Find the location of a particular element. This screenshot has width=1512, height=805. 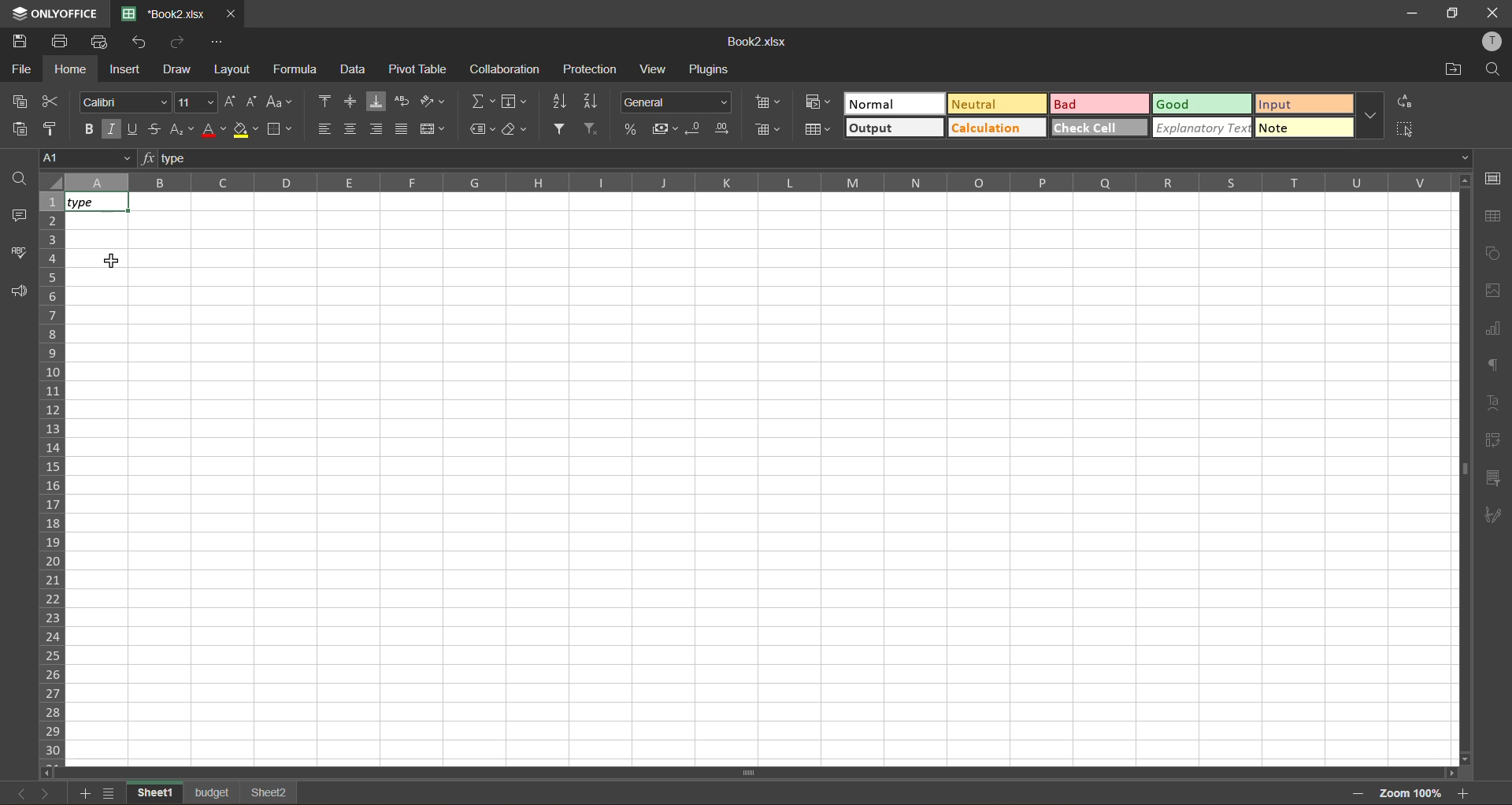

row numbers is located at coordinates (50, 479).